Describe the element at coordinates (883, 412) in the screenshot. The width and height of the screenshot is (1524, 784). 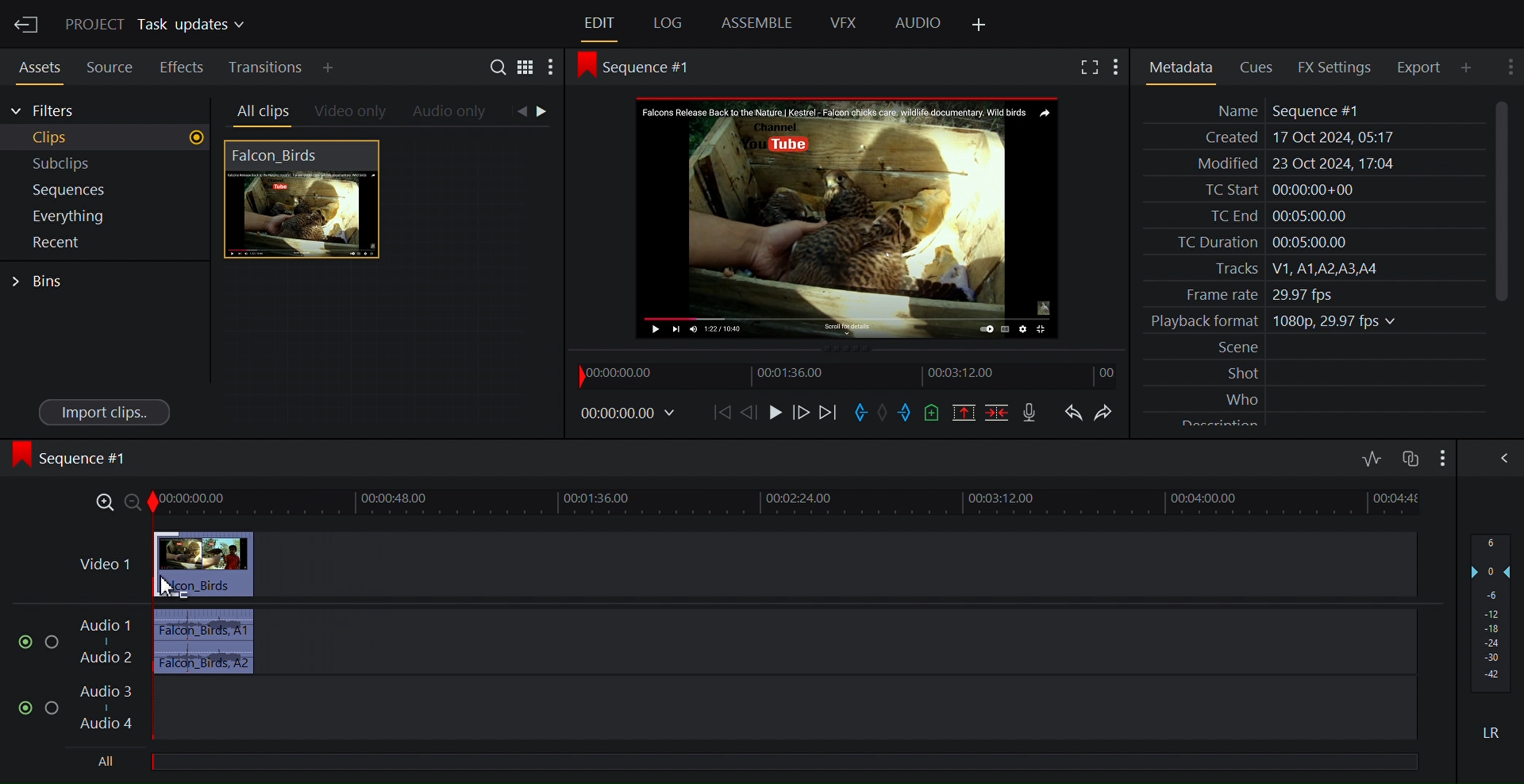
I see `Clear marks` at that location.